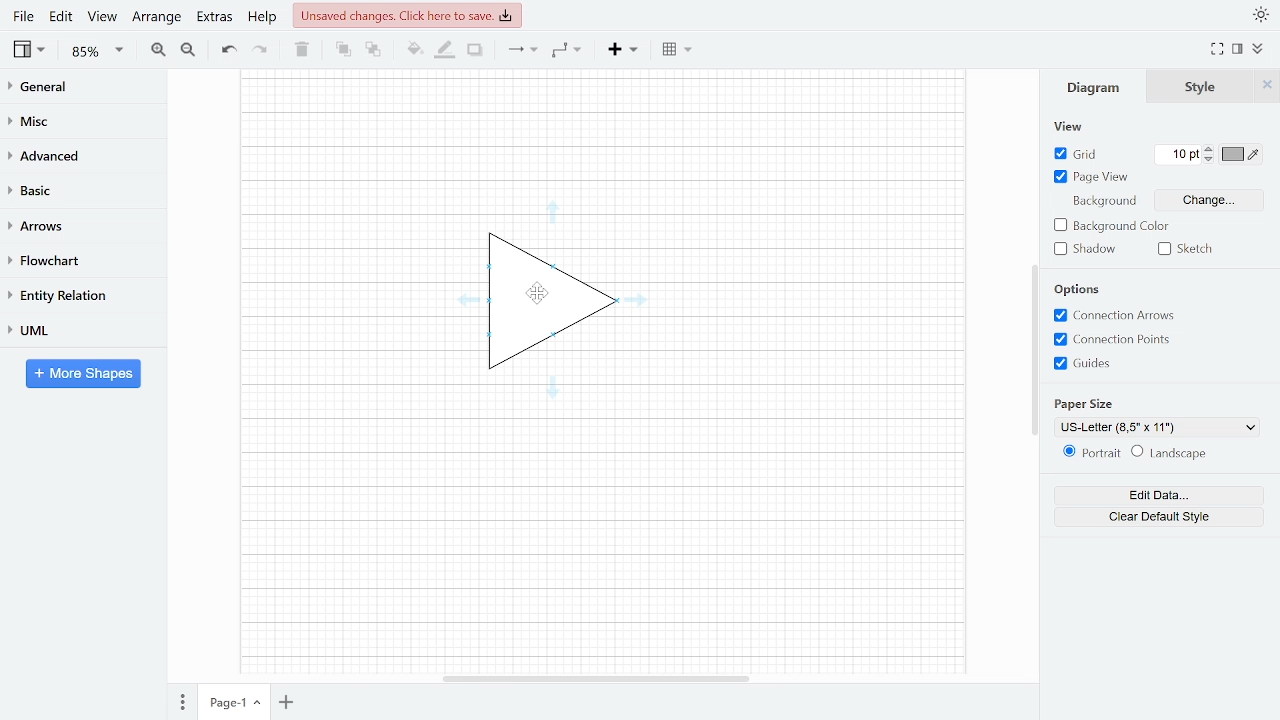 The width and height of the screenshot is (1280, 720). Describe the element at coordinates (407, 17) in the screenshot. I see `Unsaved changes. Click here to save` at that location.